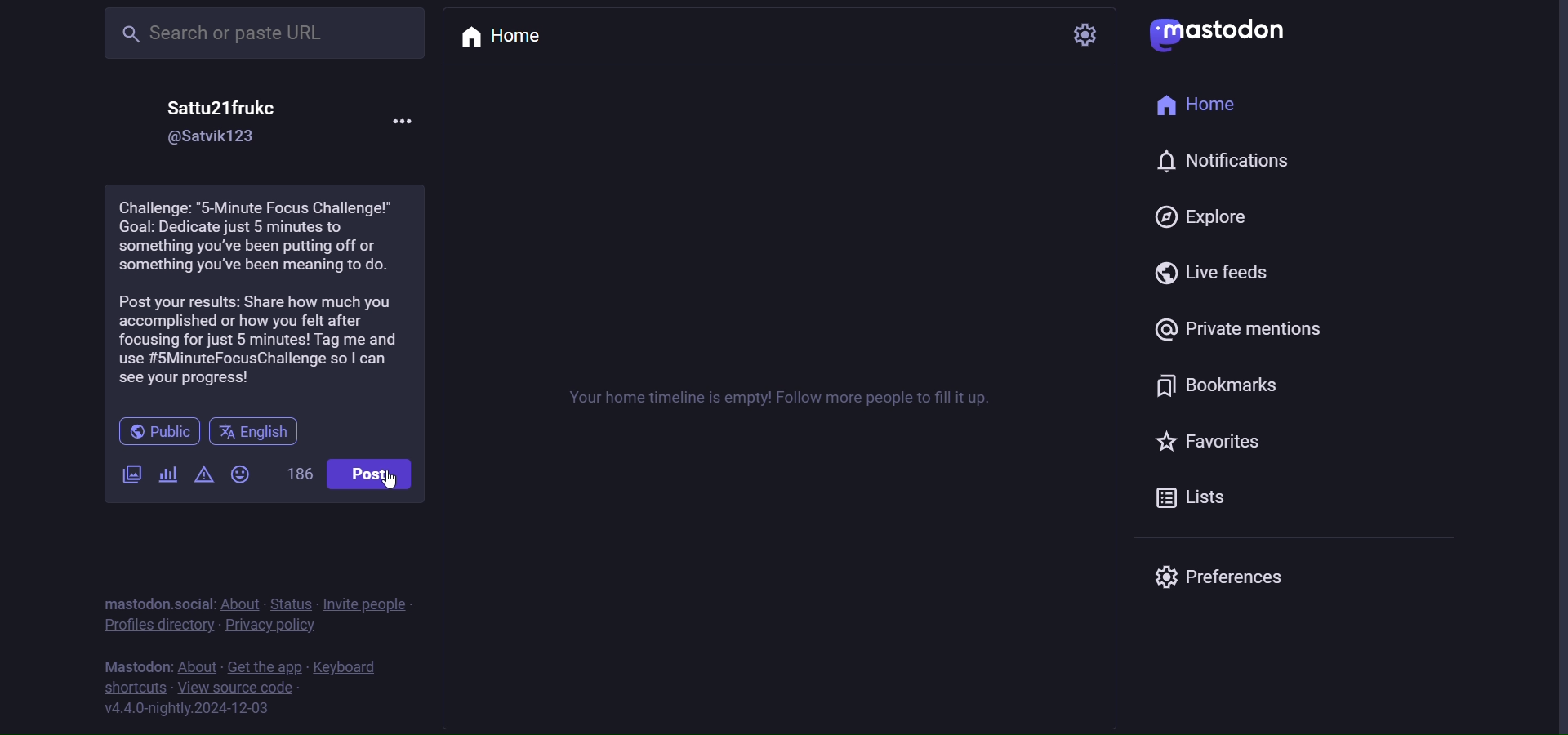 The height and width of the screenshot is (735, 1568). I want to click on images/videos, so click(127, 470).